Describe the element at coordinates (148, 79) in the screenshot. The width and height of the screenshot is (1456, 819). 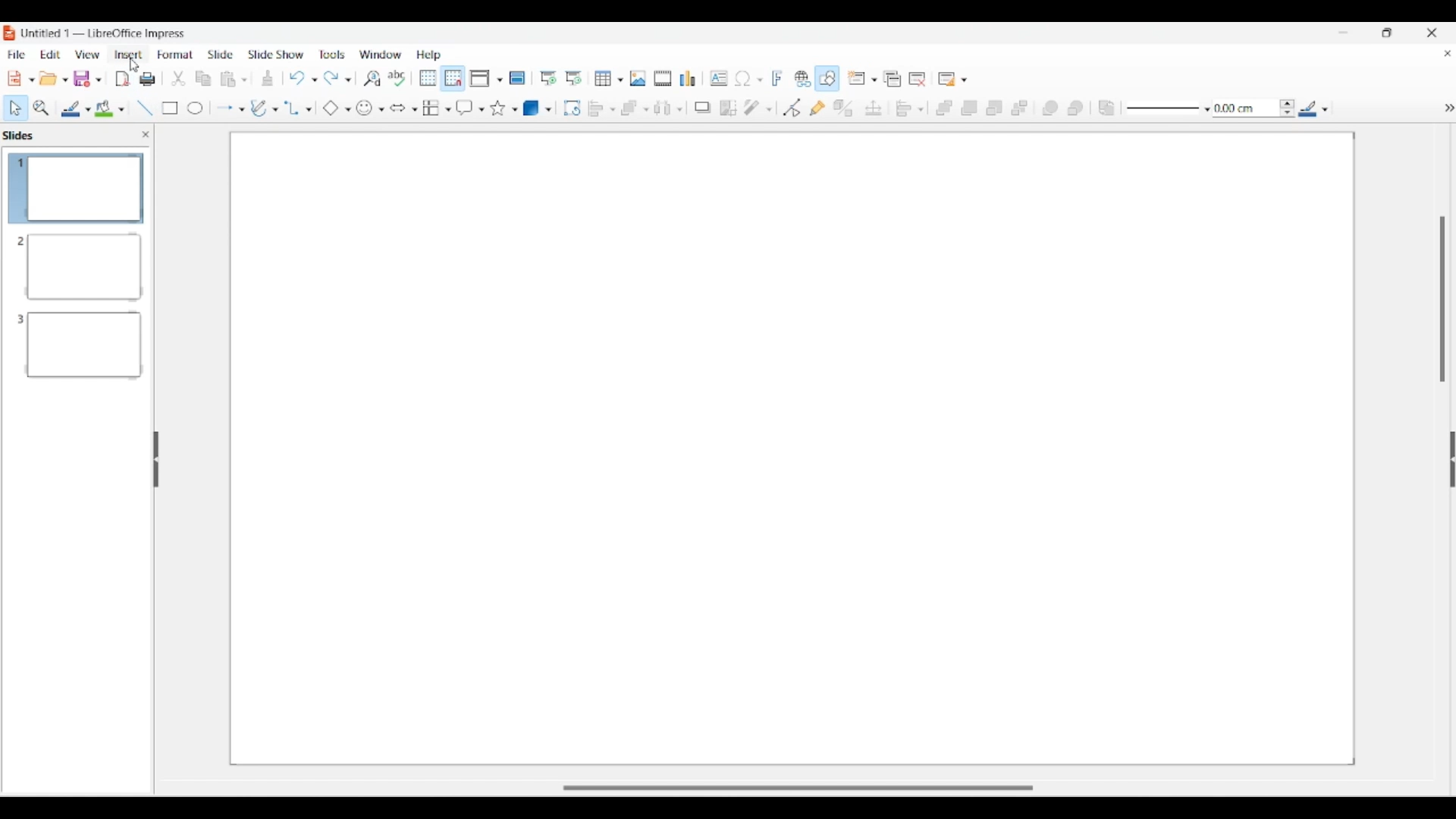
I see `Print` at that location.